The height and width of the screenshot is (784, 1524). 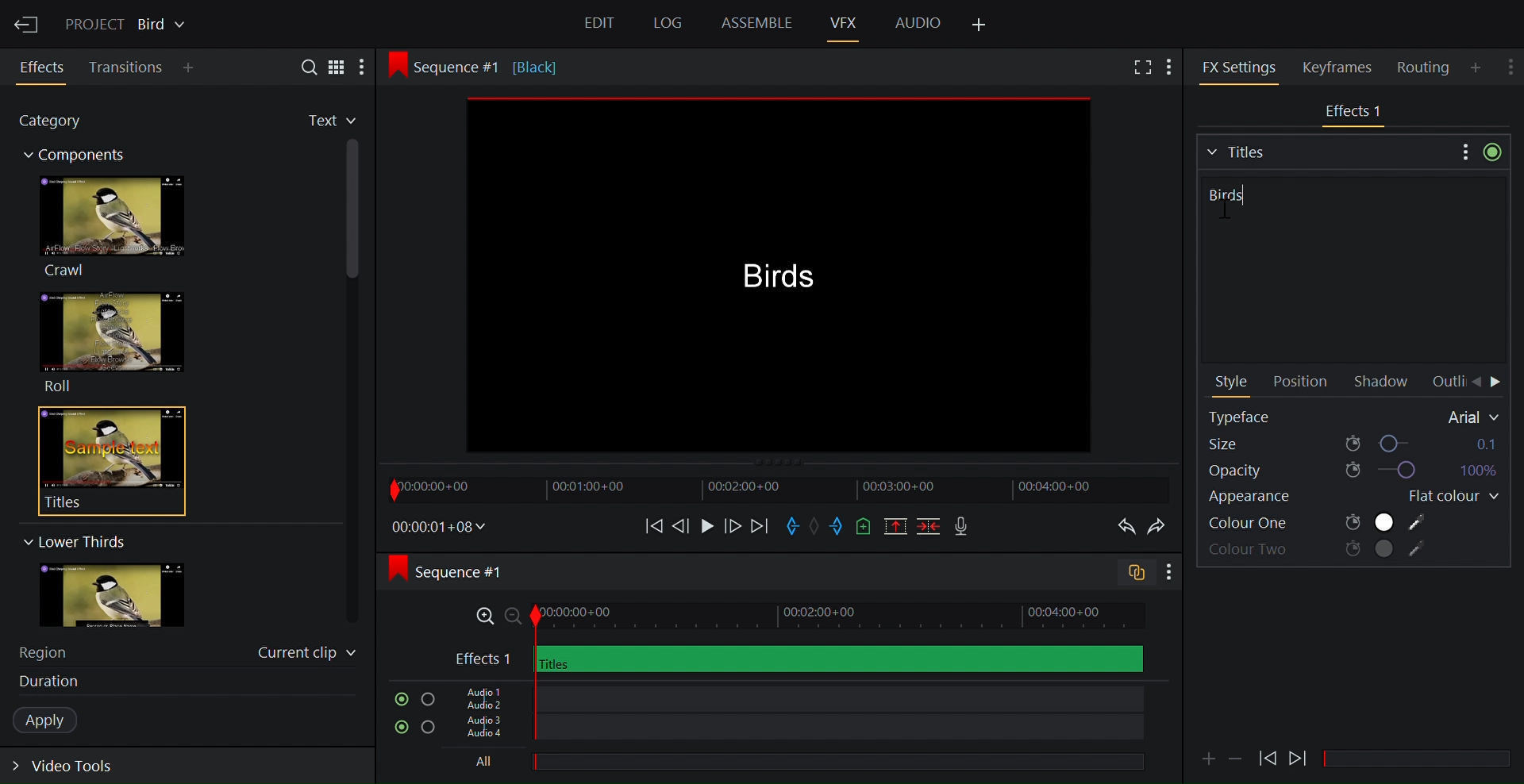 What do you see at coordinates (1318, 523) in the screenshot?
I see `Colour One, Colour Two` at bounding box center [1318, 523].